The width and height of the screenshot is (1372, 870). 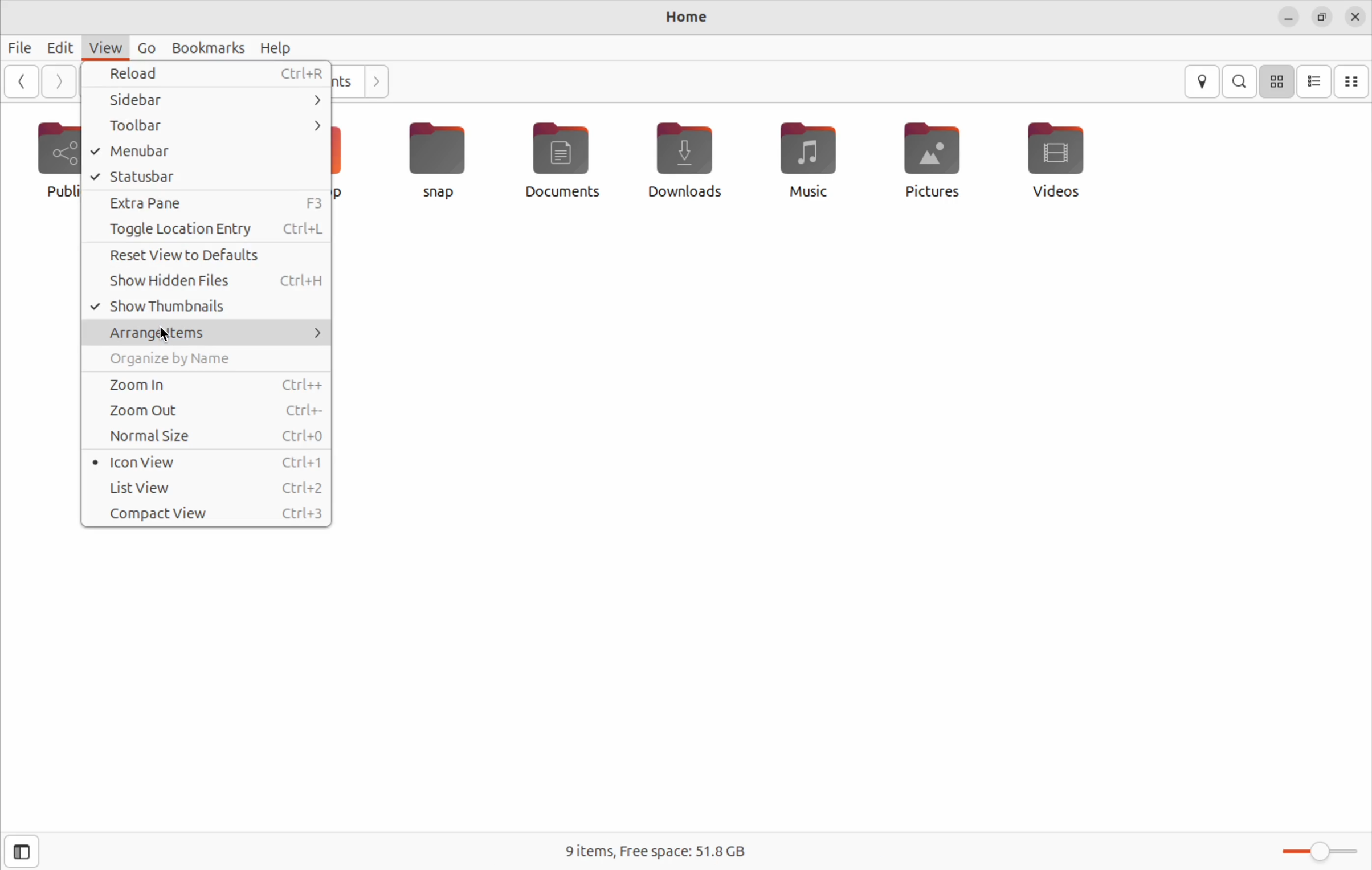 What do you see at coordinates (144, 45) in the screenshot?
I see `Go` at bounding box center [144, 45].